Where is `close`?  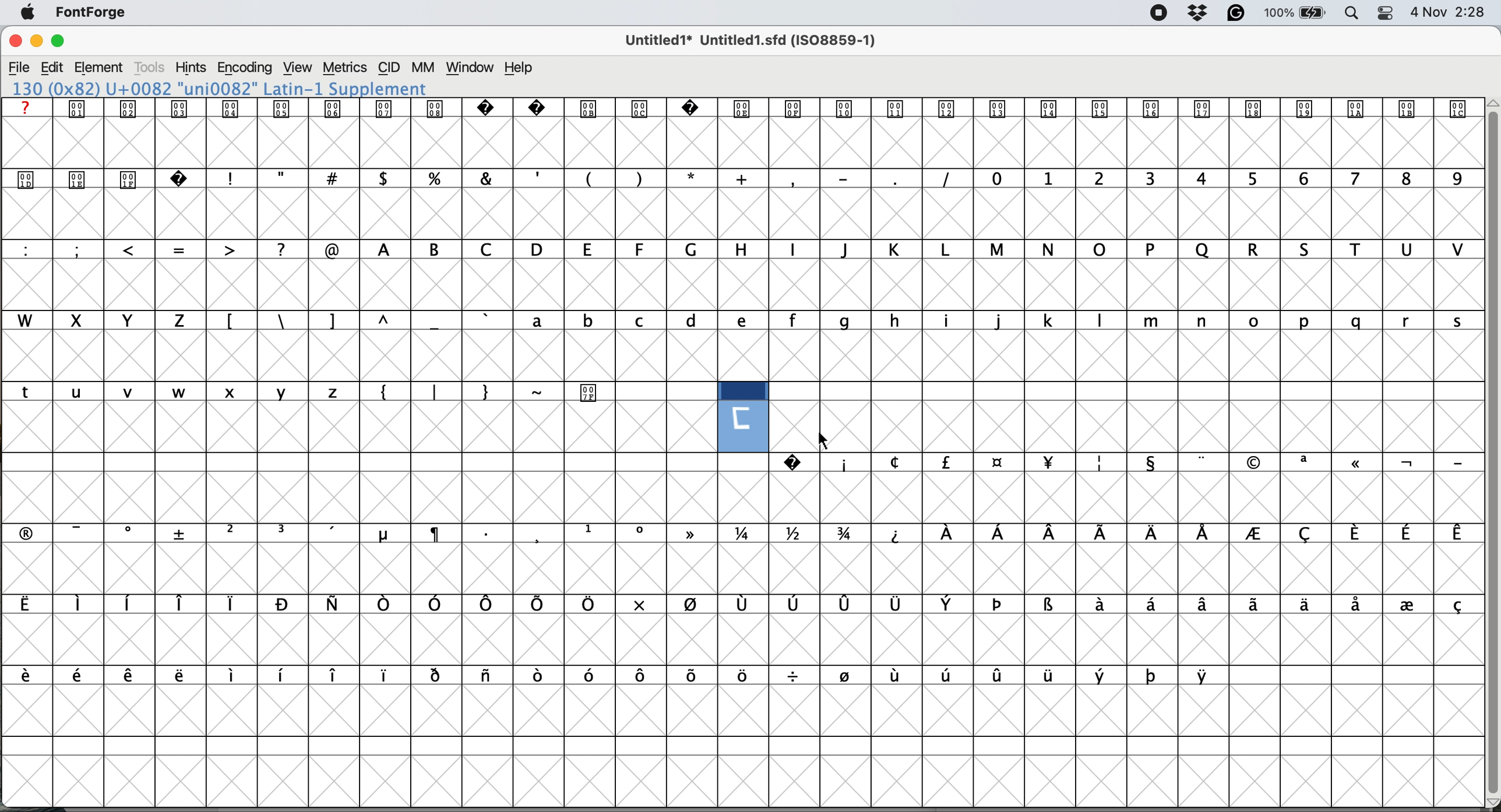 close is located at coordinates (15, 41).